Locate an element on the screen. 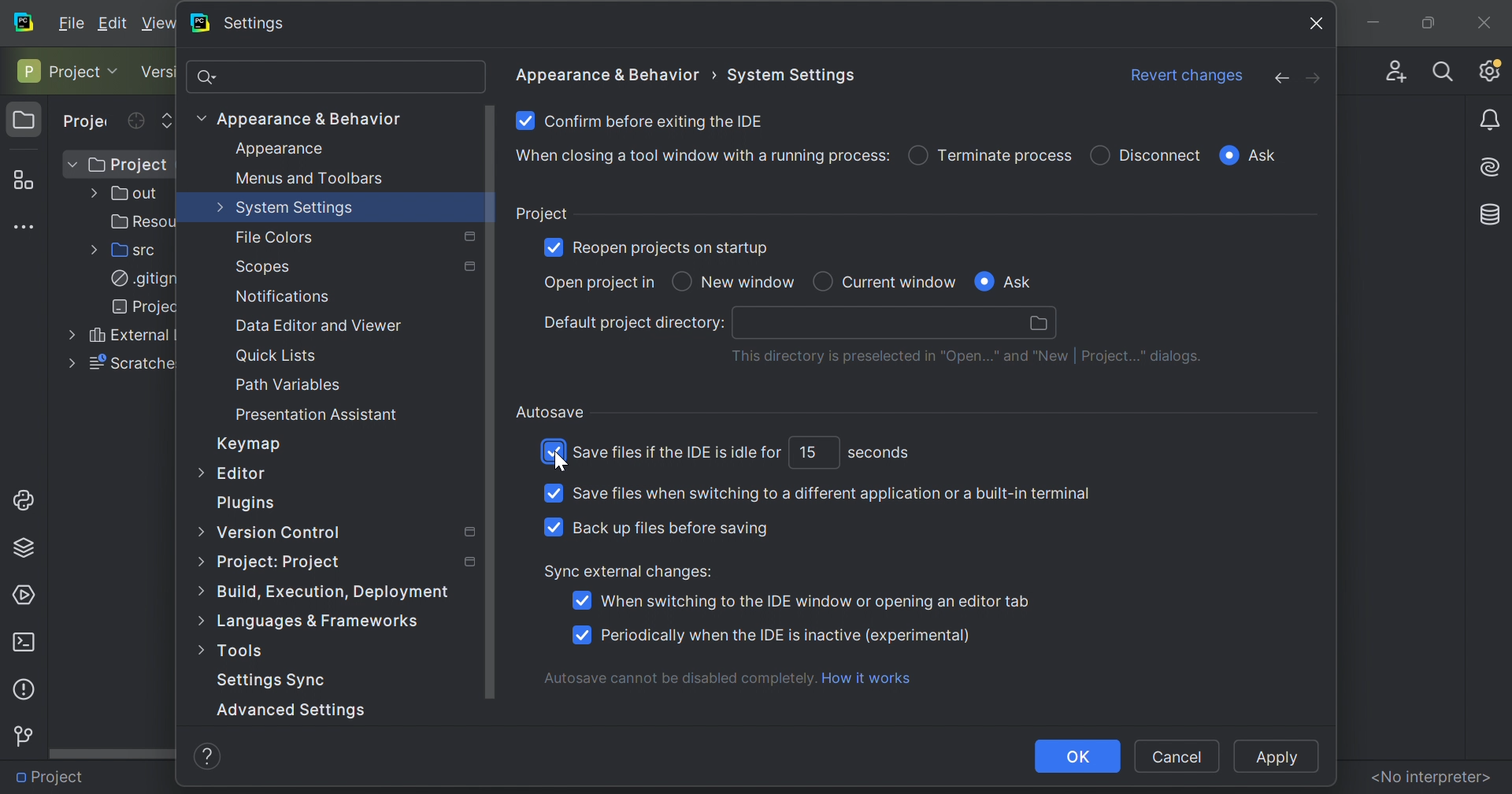 The image size is (1512, 794). Checkbox is located at coordinates (983, 281).